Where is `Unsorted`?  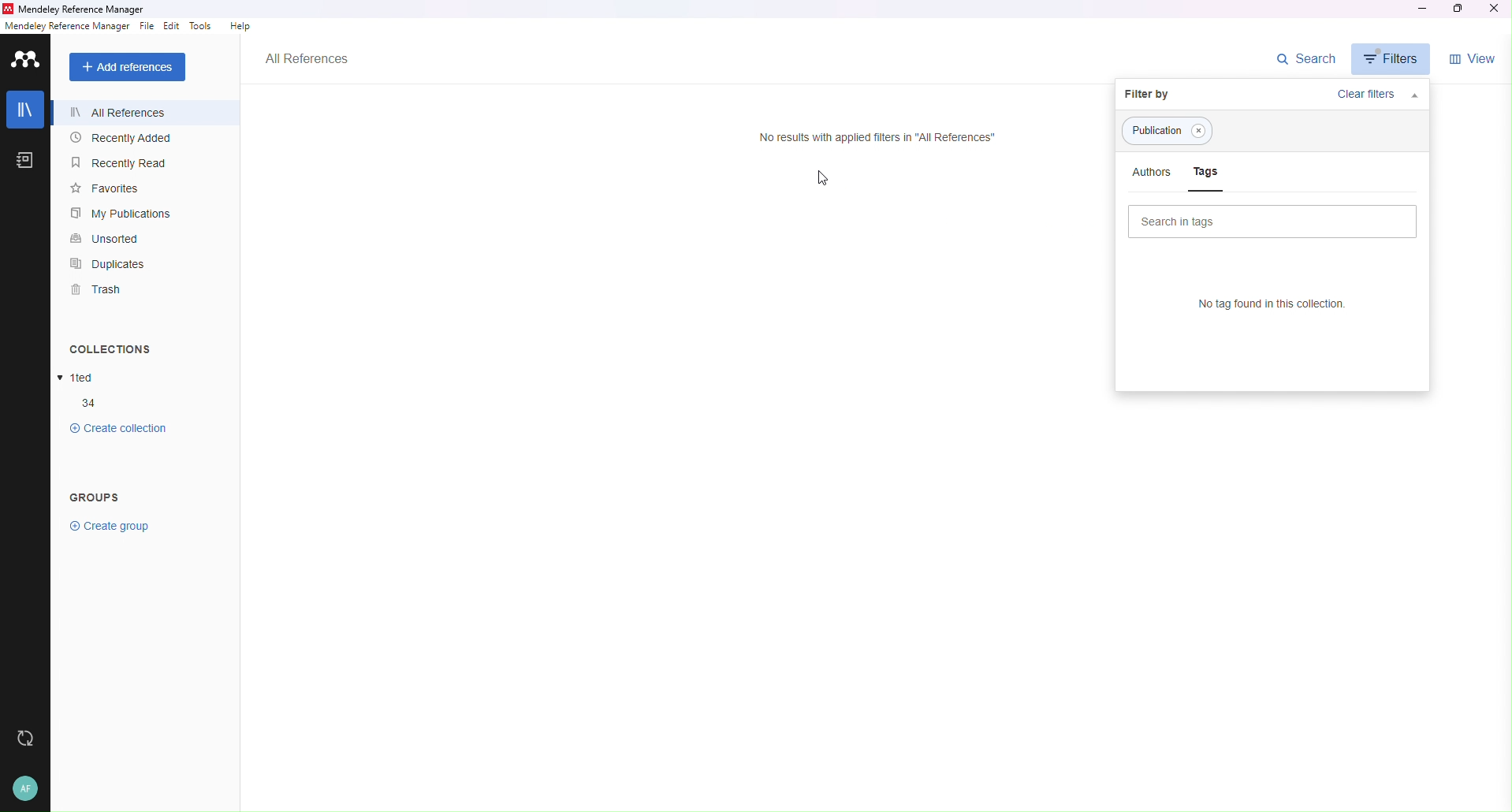 Unsorted is located at coordinates (119, 237).